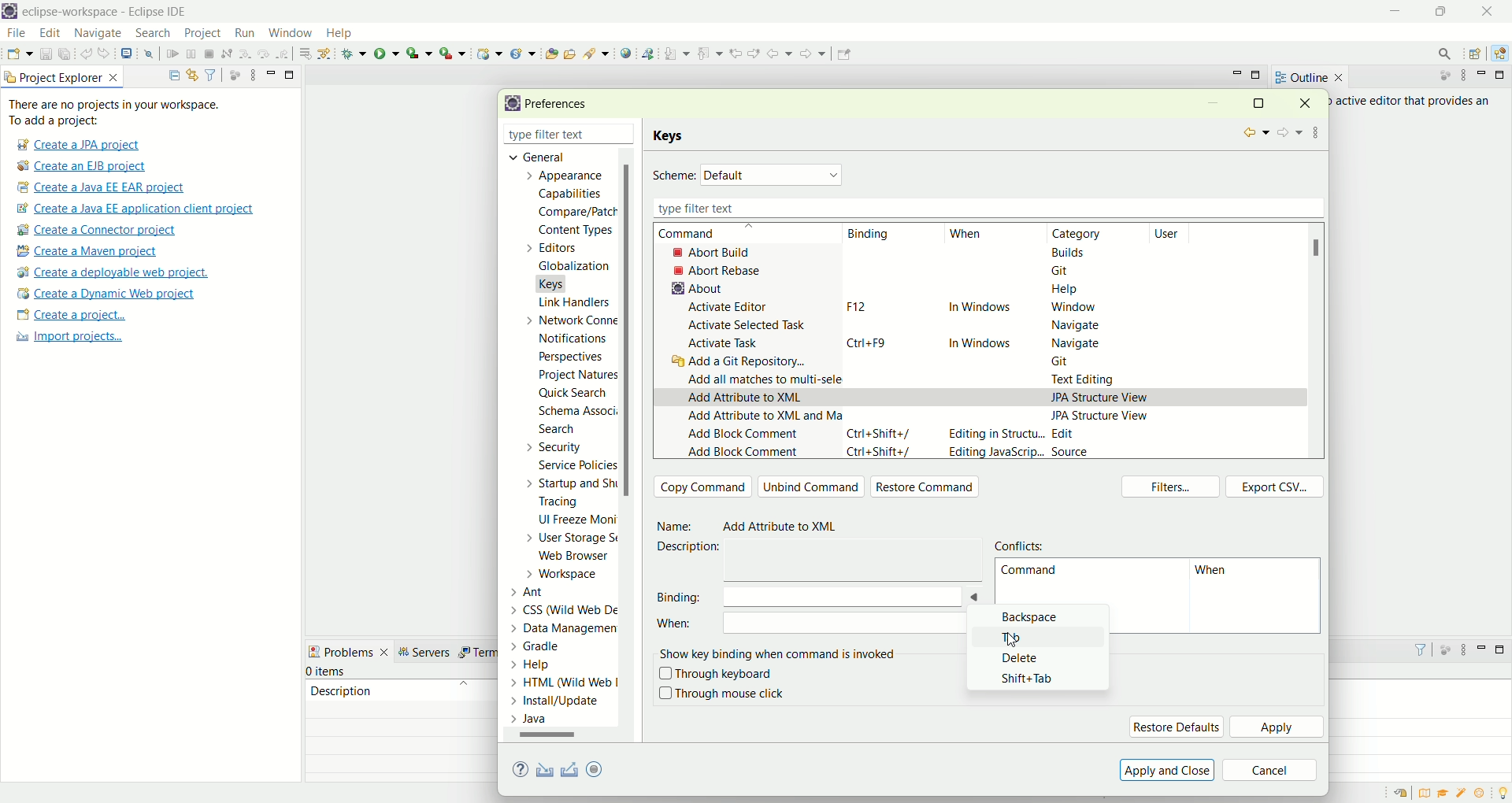 The height and width of the screenshot is (803, 1512). Describe the element at coordinates (677, 54) in the screenshot. I see `next annotation` at that location.